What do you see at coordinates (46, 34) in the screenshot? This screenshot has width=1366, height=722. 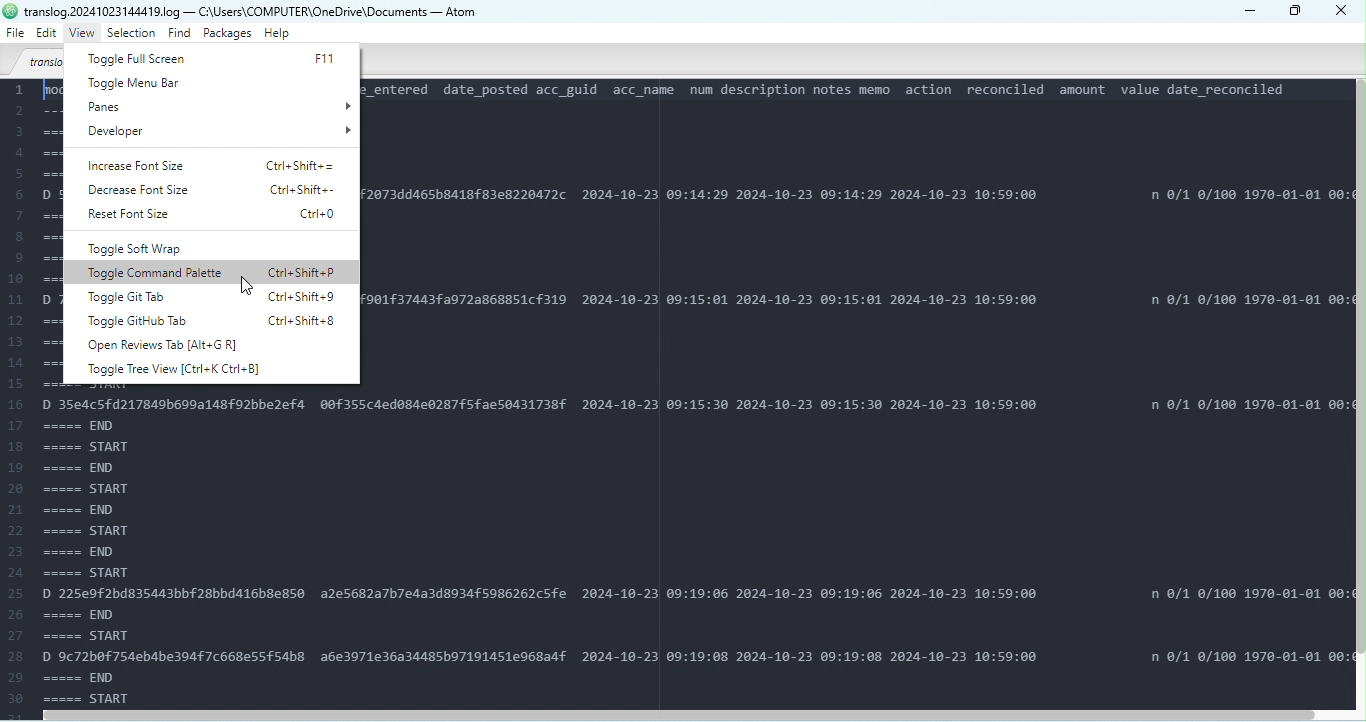 I see `Edit` at bounding box center [46, 34].